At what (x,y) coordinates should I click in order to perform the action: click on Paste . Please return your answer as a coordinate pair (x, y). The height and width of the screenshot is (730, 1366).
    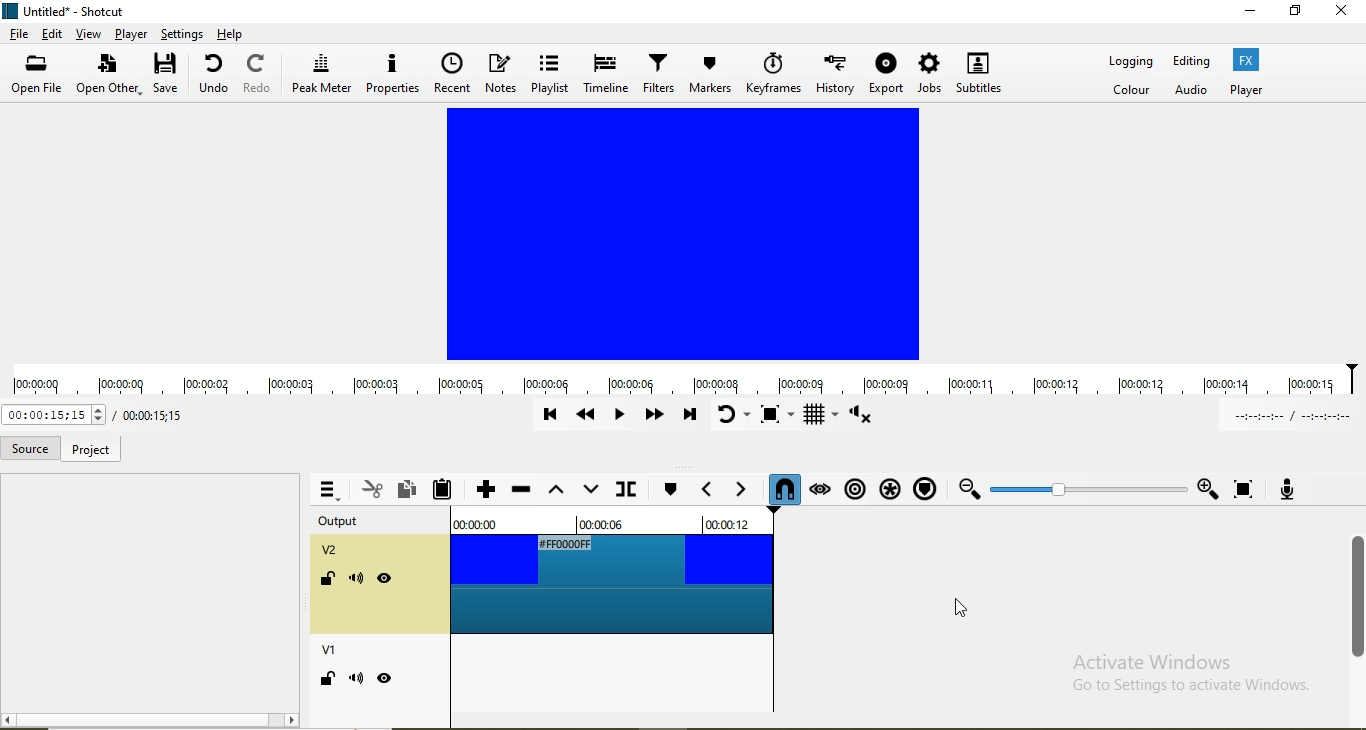
    Looking at the image, I should click on (449, 489).